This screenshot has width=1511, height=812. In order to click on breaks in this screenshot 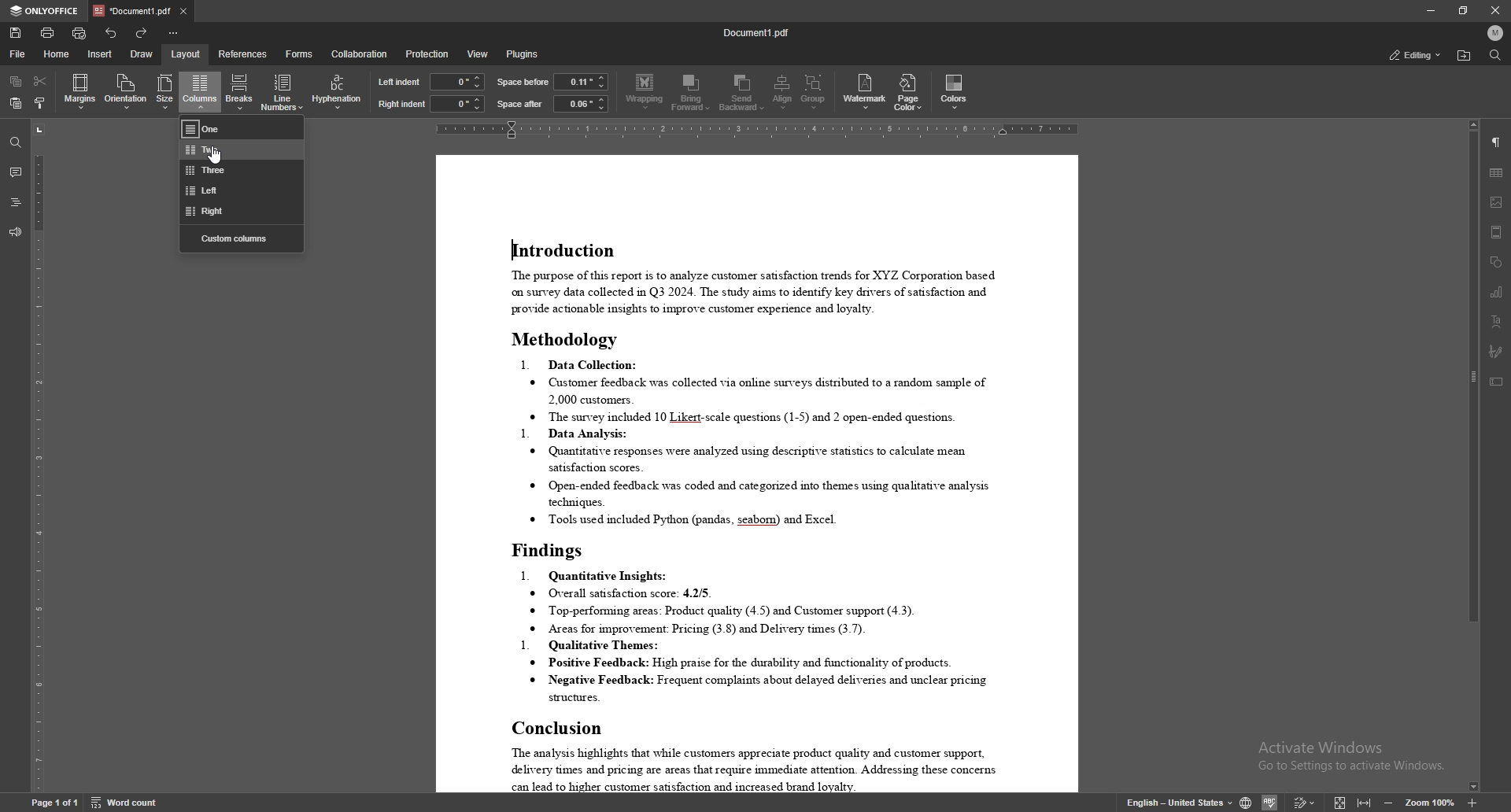, I will do `click(241, 91)`.